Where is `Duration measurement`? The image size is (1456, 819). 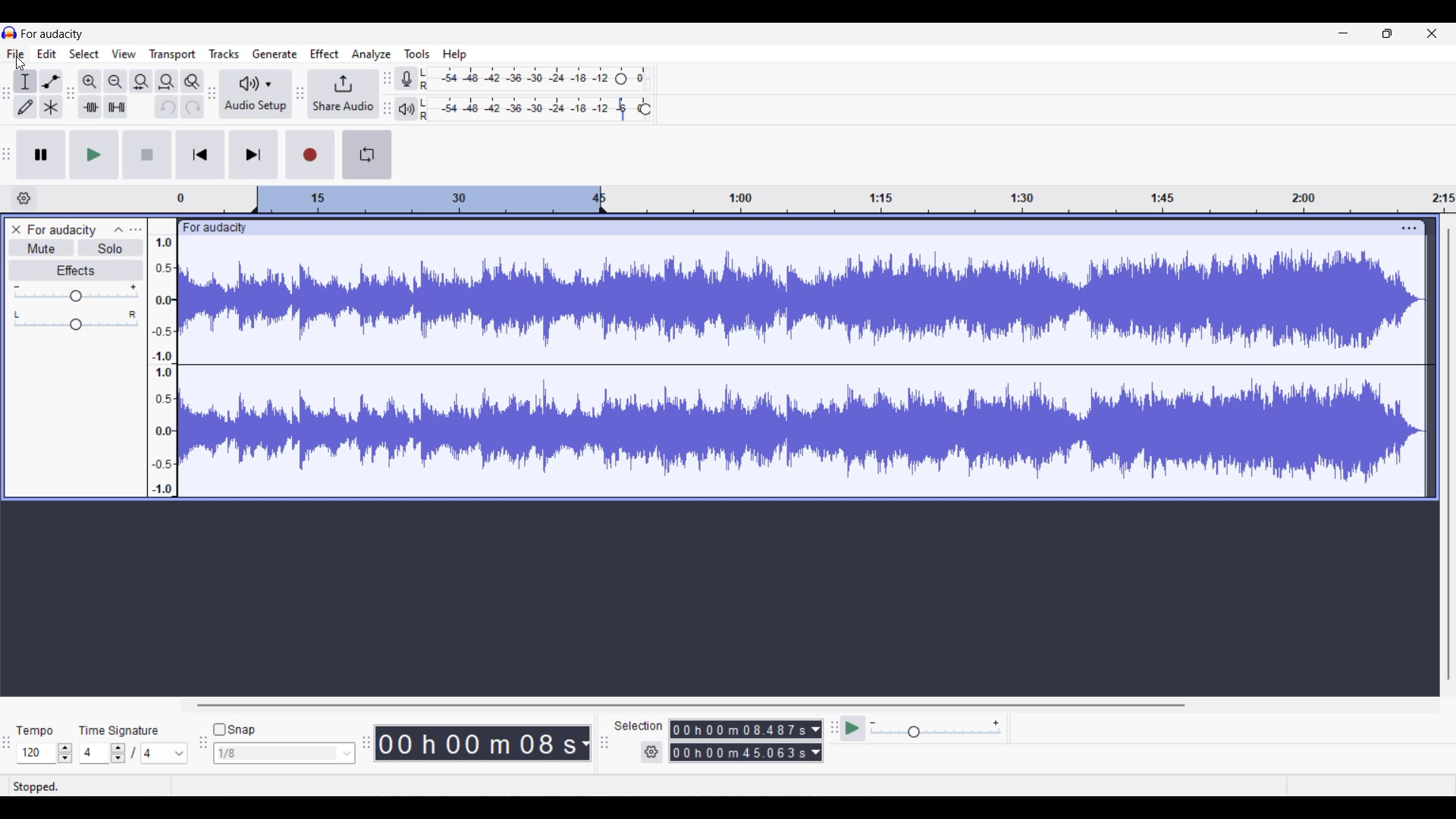
Duration measurement is located at coordinates (815, 752).